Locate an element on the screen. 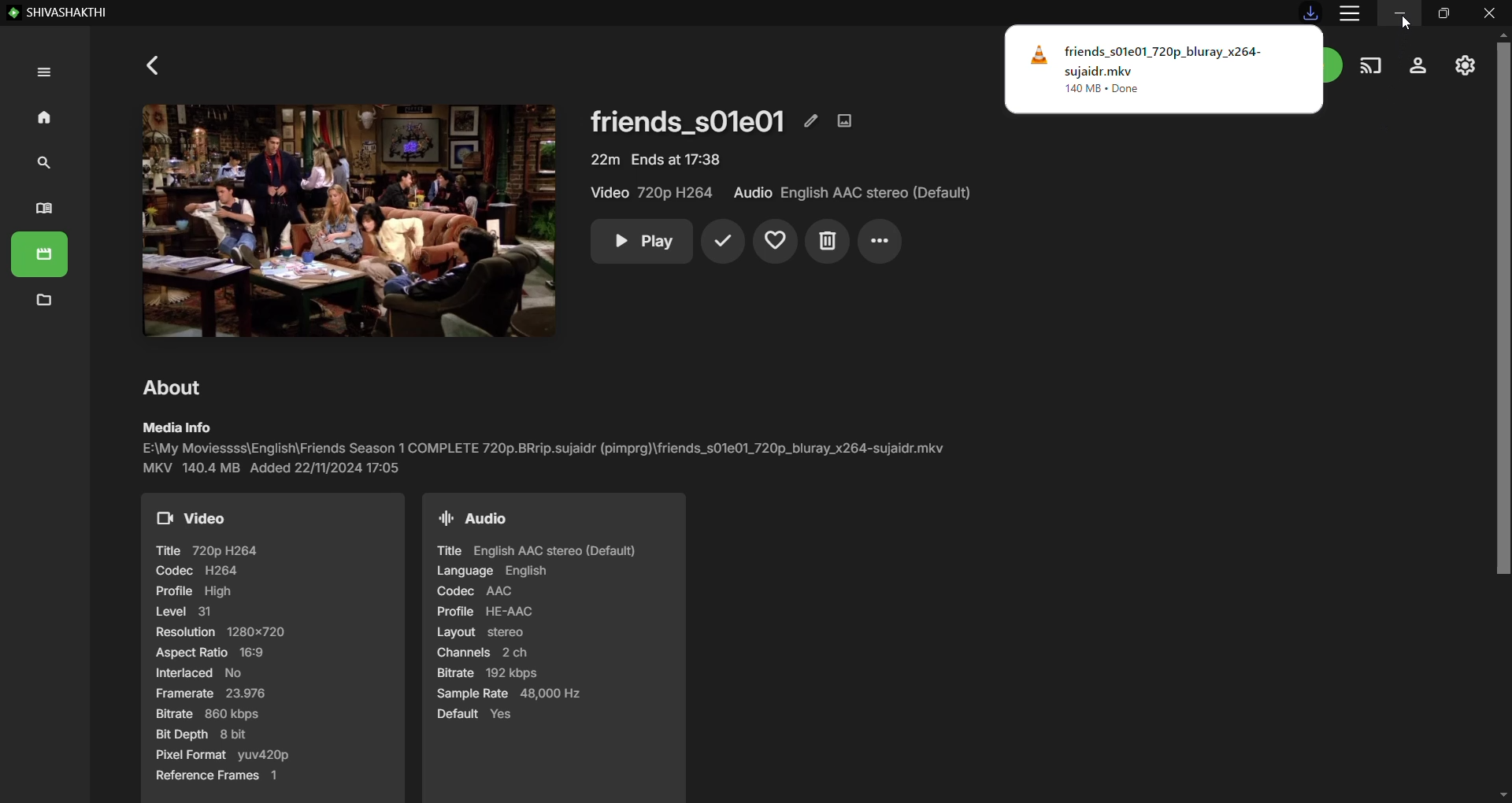  Books is located at coordinates (44, 210).